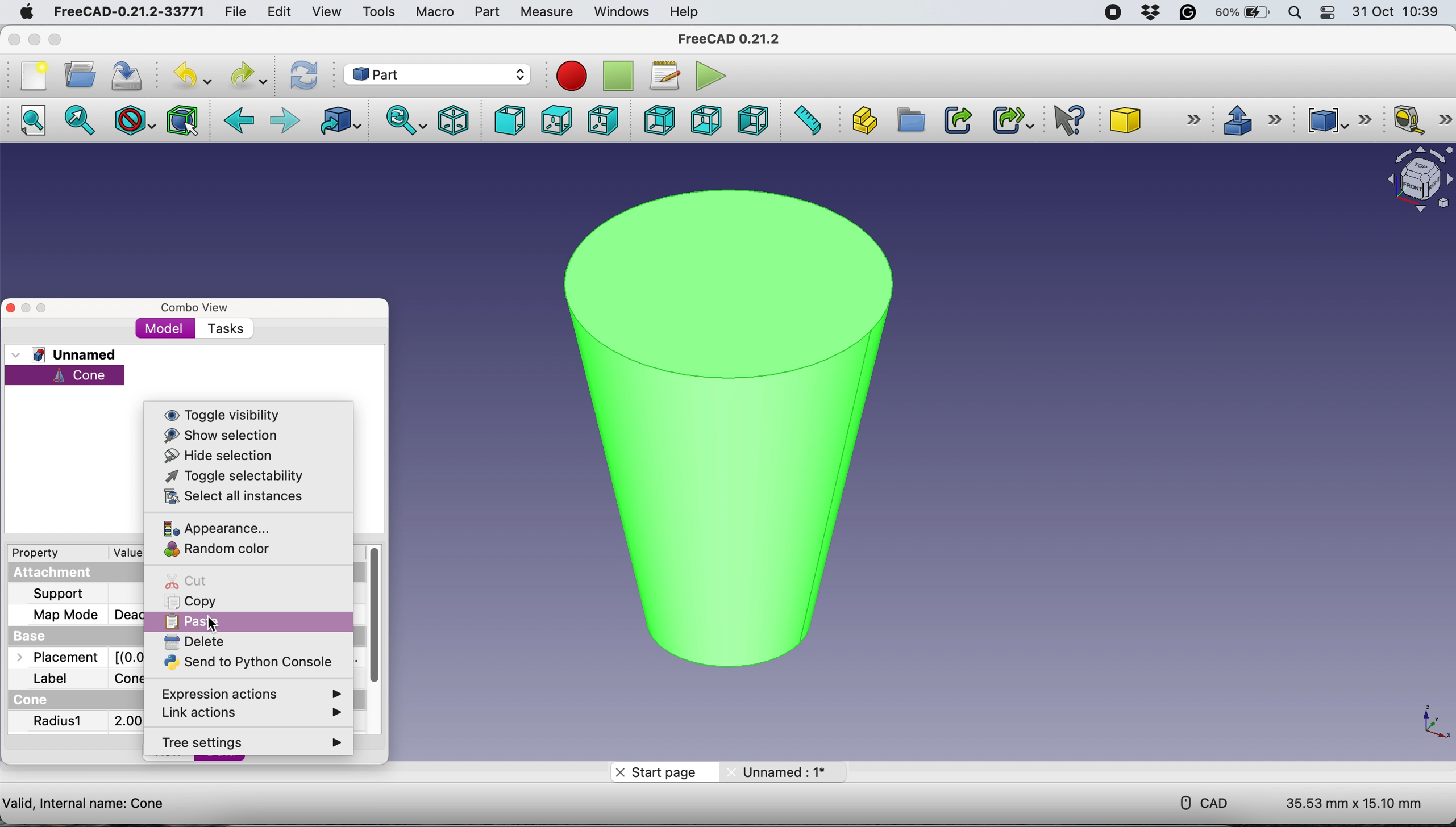 Image resolution: width=1456 pixels, height=827 pixels. Describe the element at coordinates (455, 119) in the screenshot. I see `isometric view` at that location.